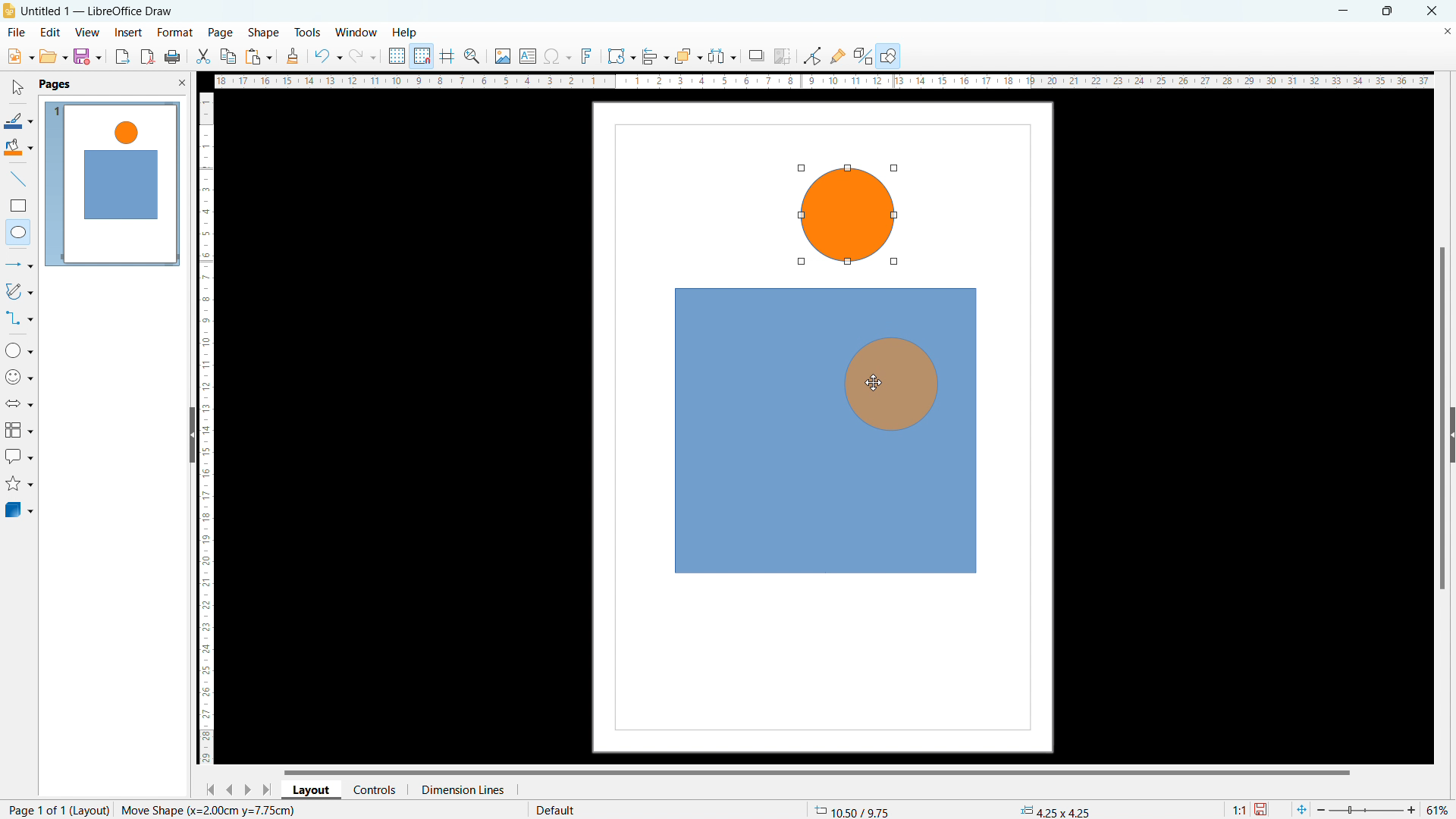 This screenshot has width=1456, height=819. Describe the element at coordinates (51, 31) in the screenshot. I see `edit` at that location.